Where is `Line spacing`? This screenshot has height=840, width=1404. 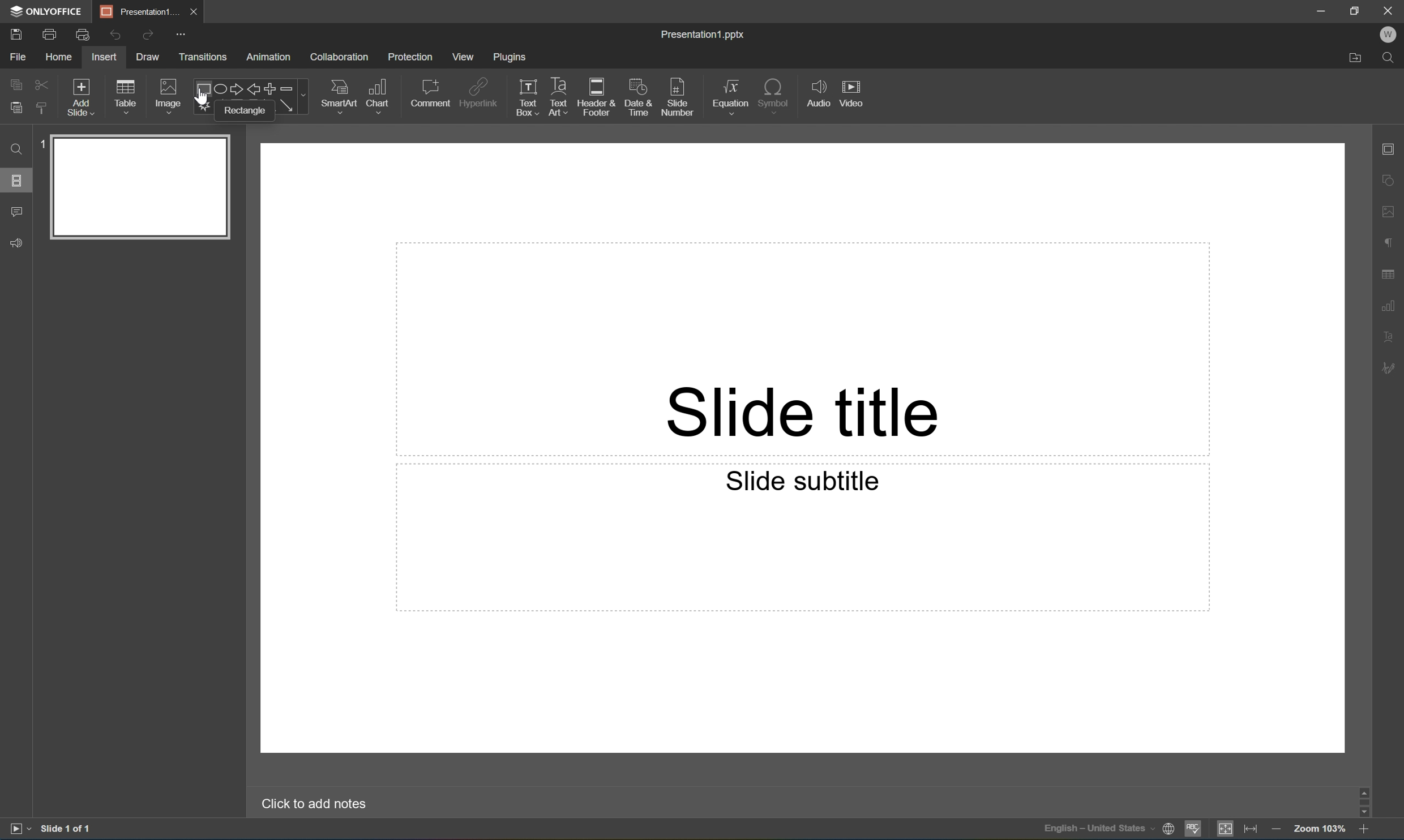
Line spacing is located at coordinates (416, 109).